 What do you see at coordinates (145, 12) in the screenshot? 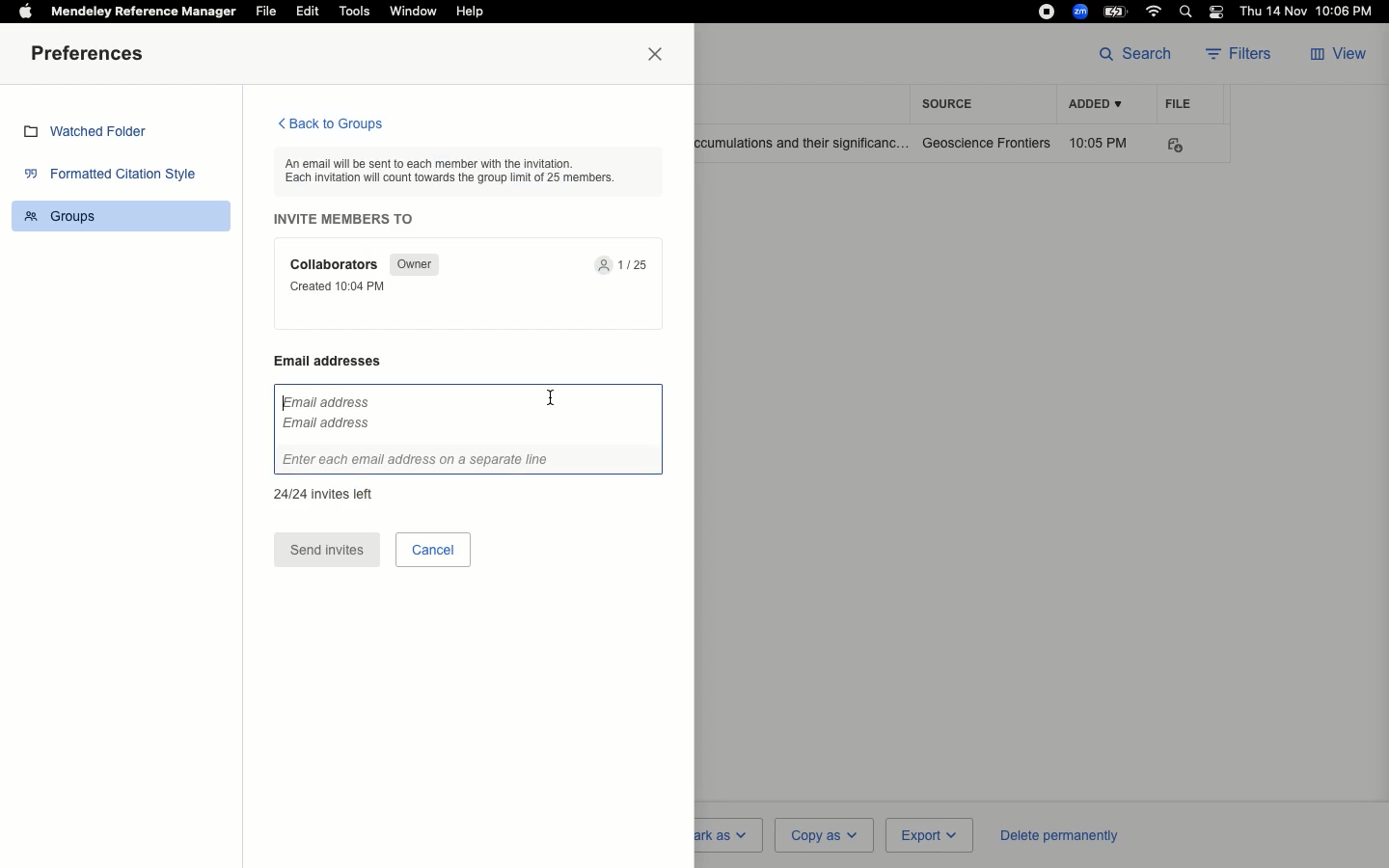
I see `Mendeley reference manager` at bounding box center [145, 12].